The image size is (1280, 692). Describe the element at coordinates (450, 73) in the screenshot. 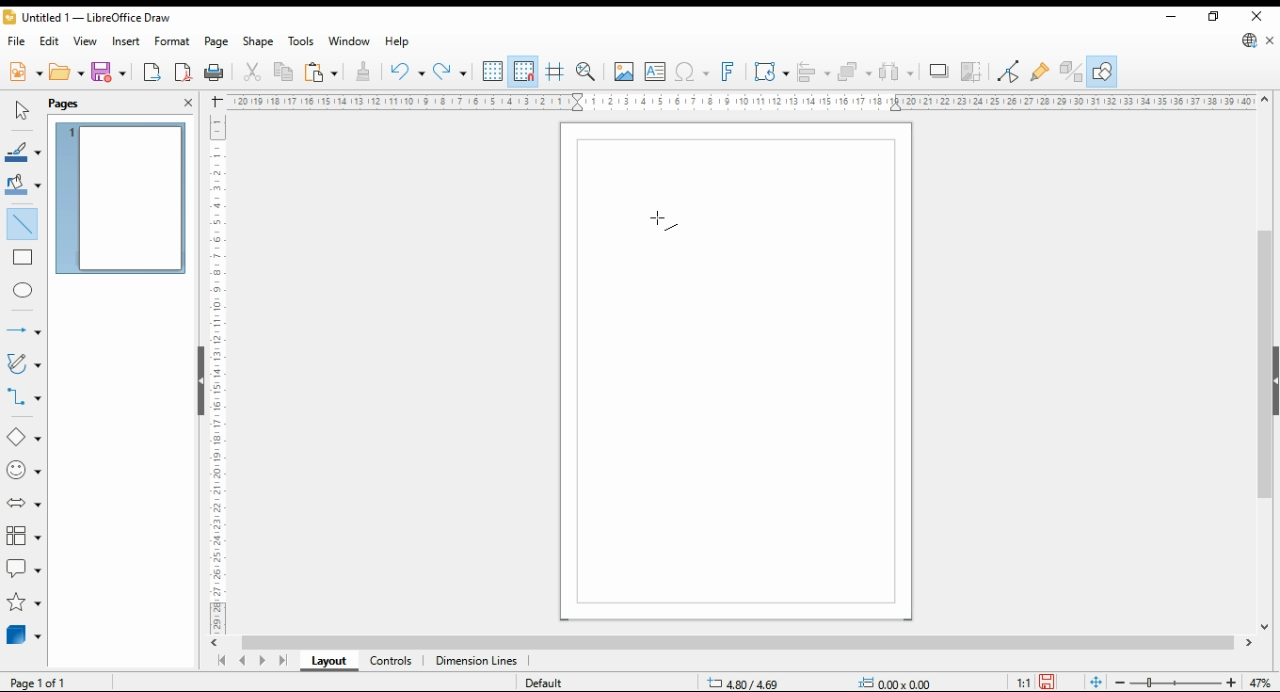

I see `redo` at that location.